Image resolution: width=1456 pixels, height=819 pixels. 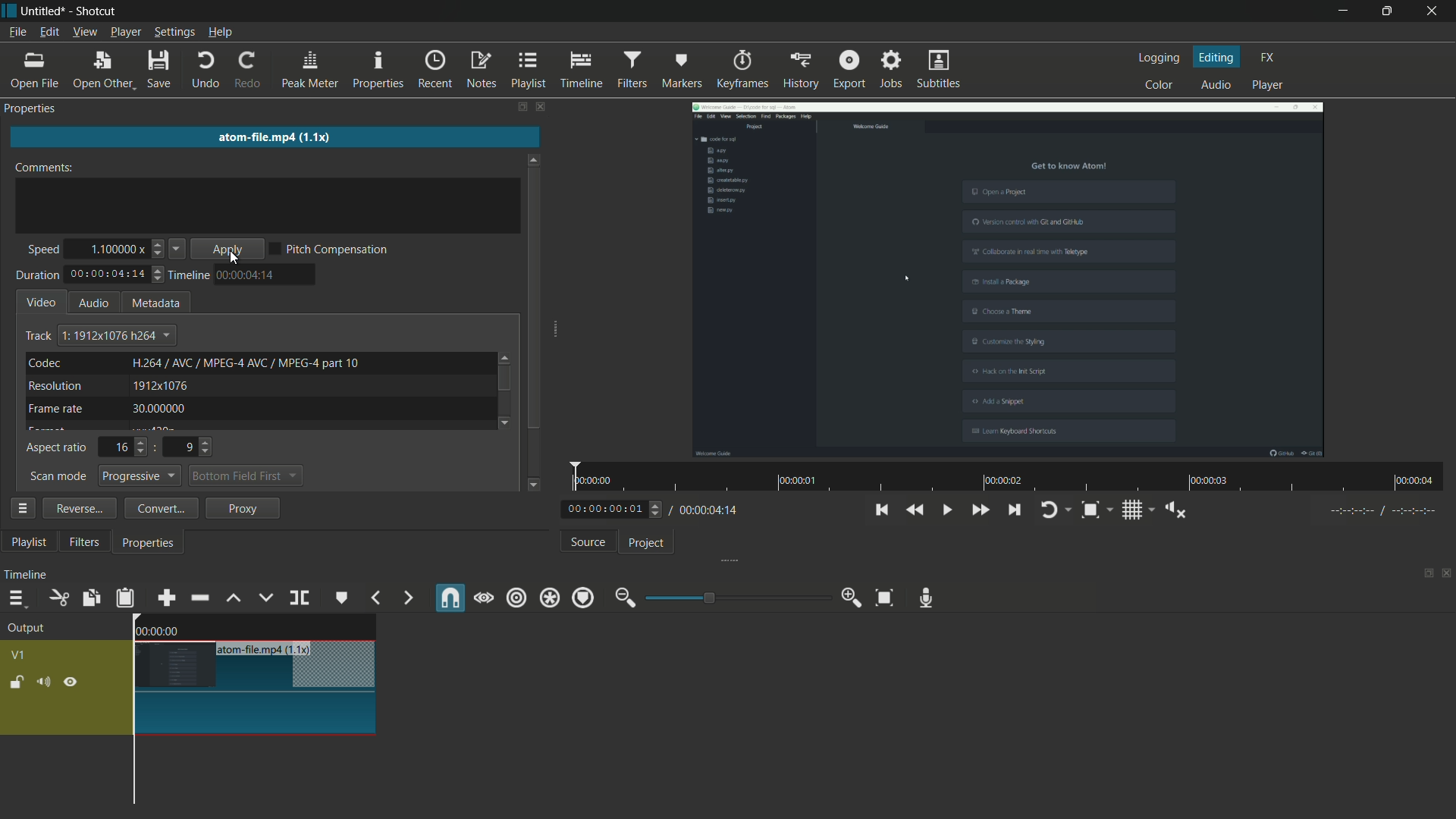 What do you see at coordinates (447, 598) in the screenshot?
I see `snap` at bounding box center [447, 598].